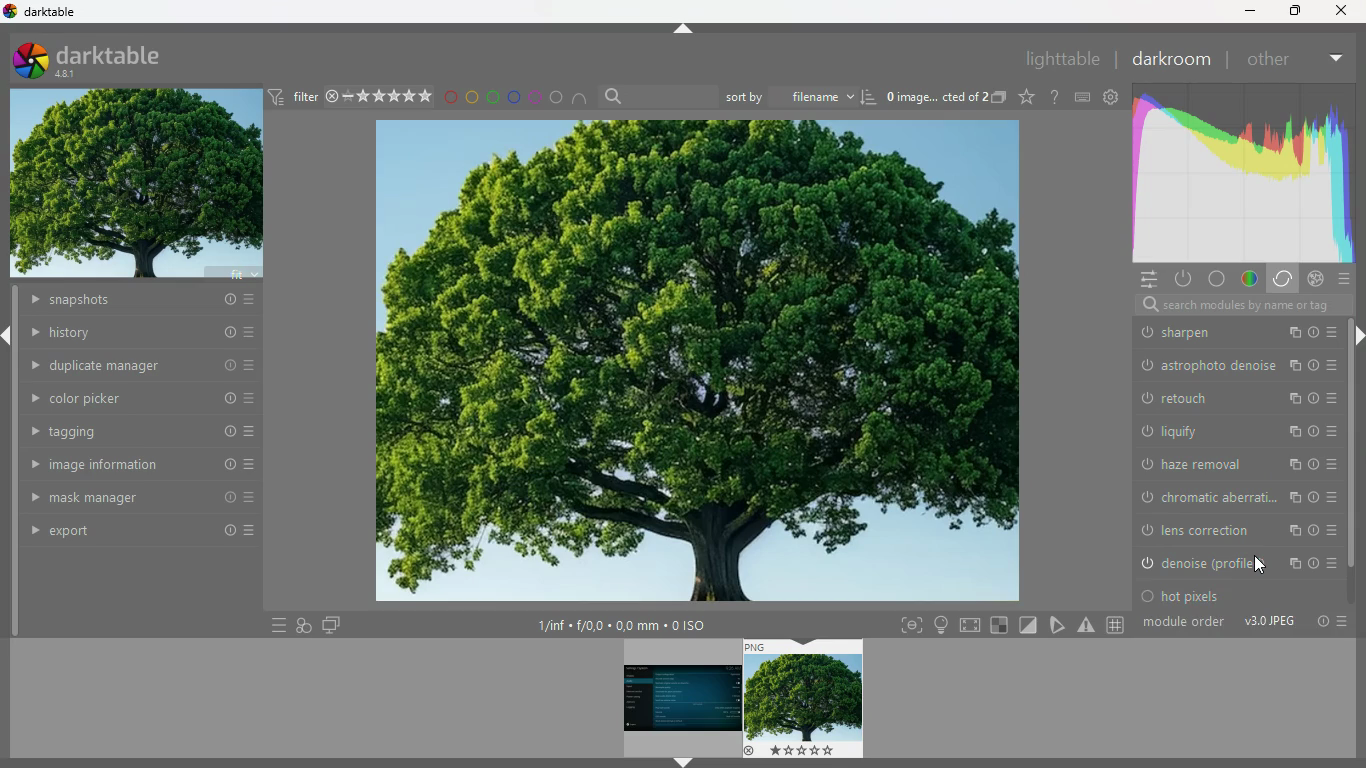  I want to click on export, so click(131, 532).